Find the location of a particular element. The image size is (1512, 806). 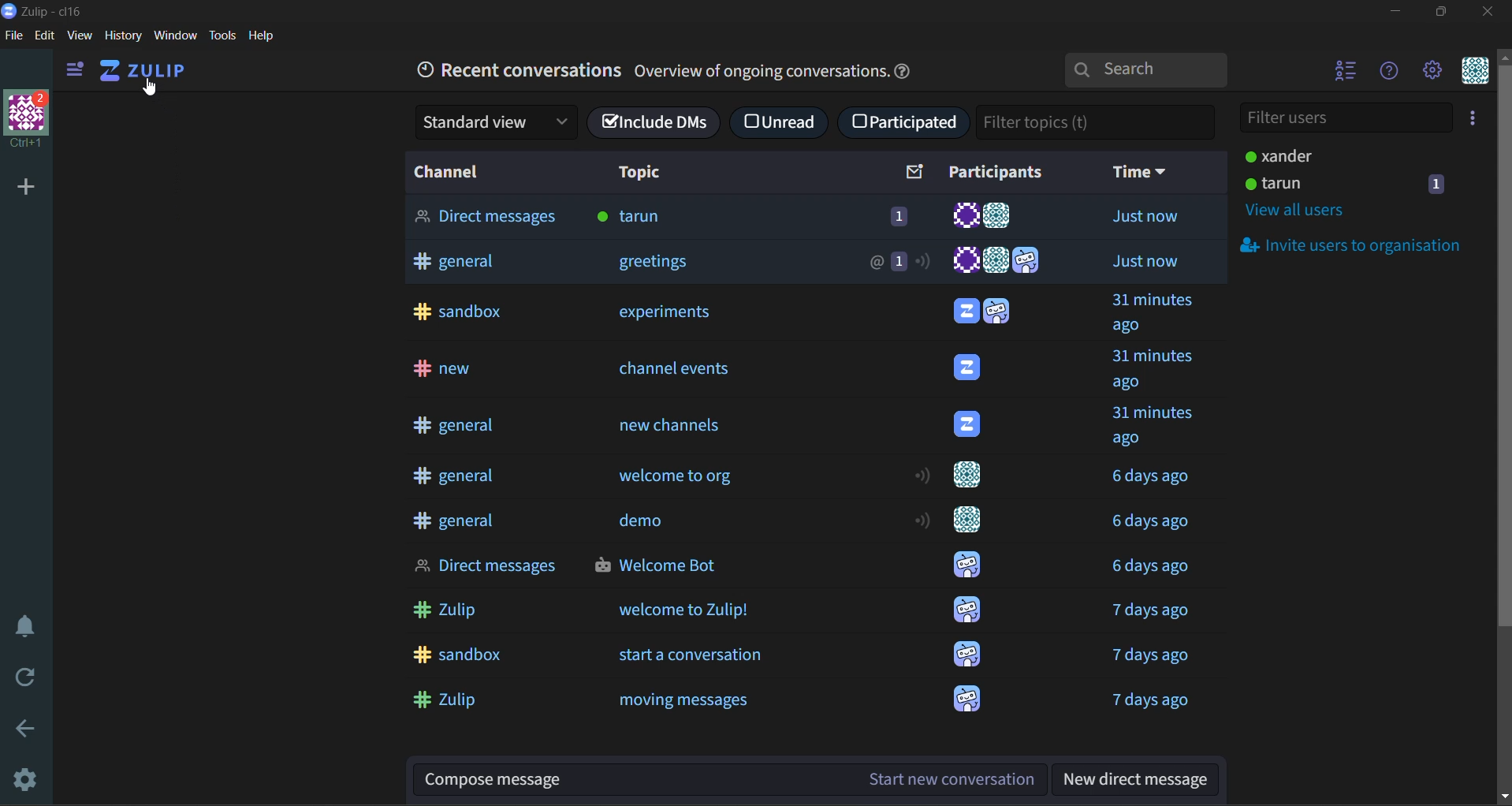

tarun is located at coordinates (650, 218).